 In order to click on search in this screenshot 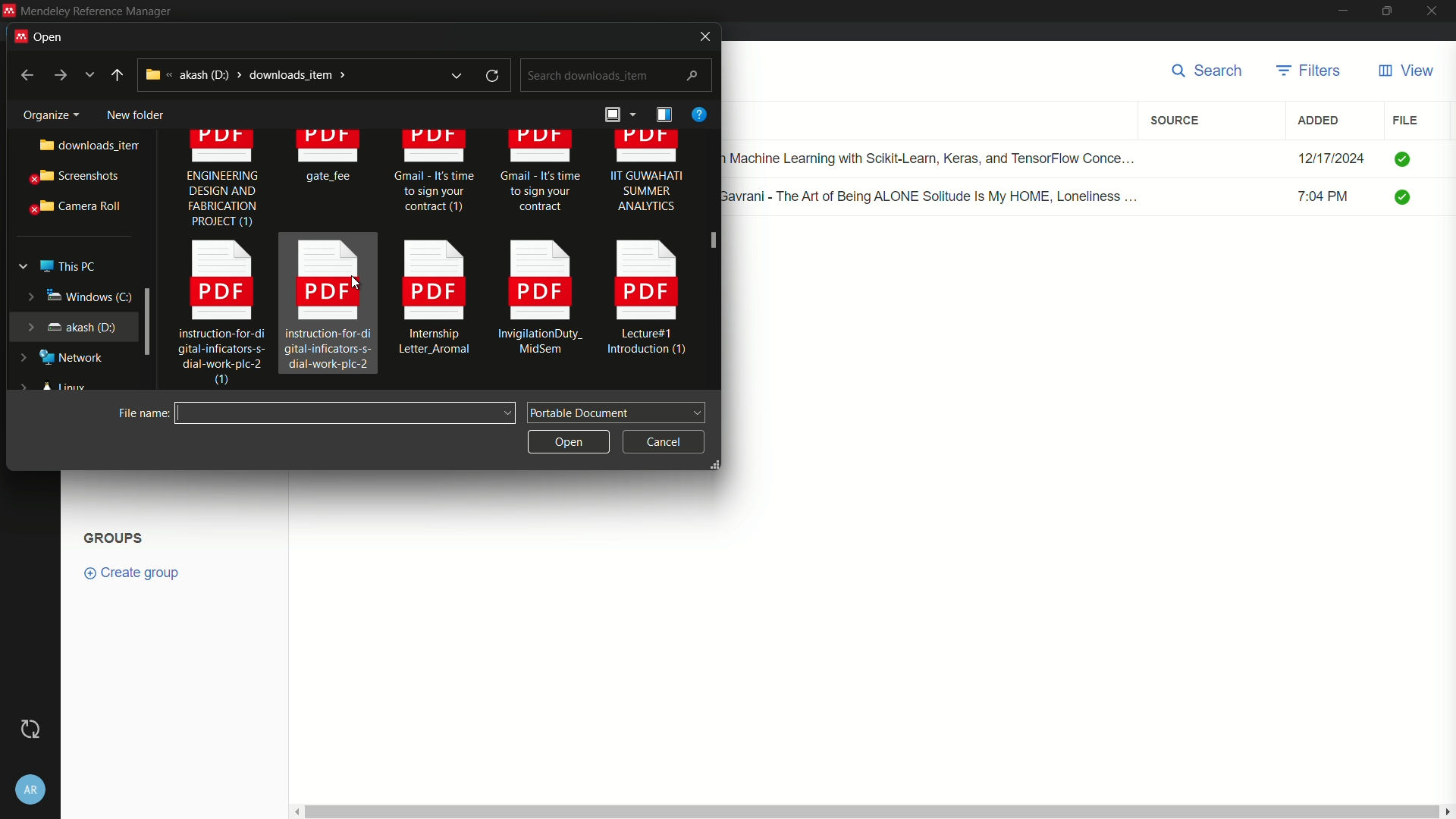, I will do `click(1212, 72)`.